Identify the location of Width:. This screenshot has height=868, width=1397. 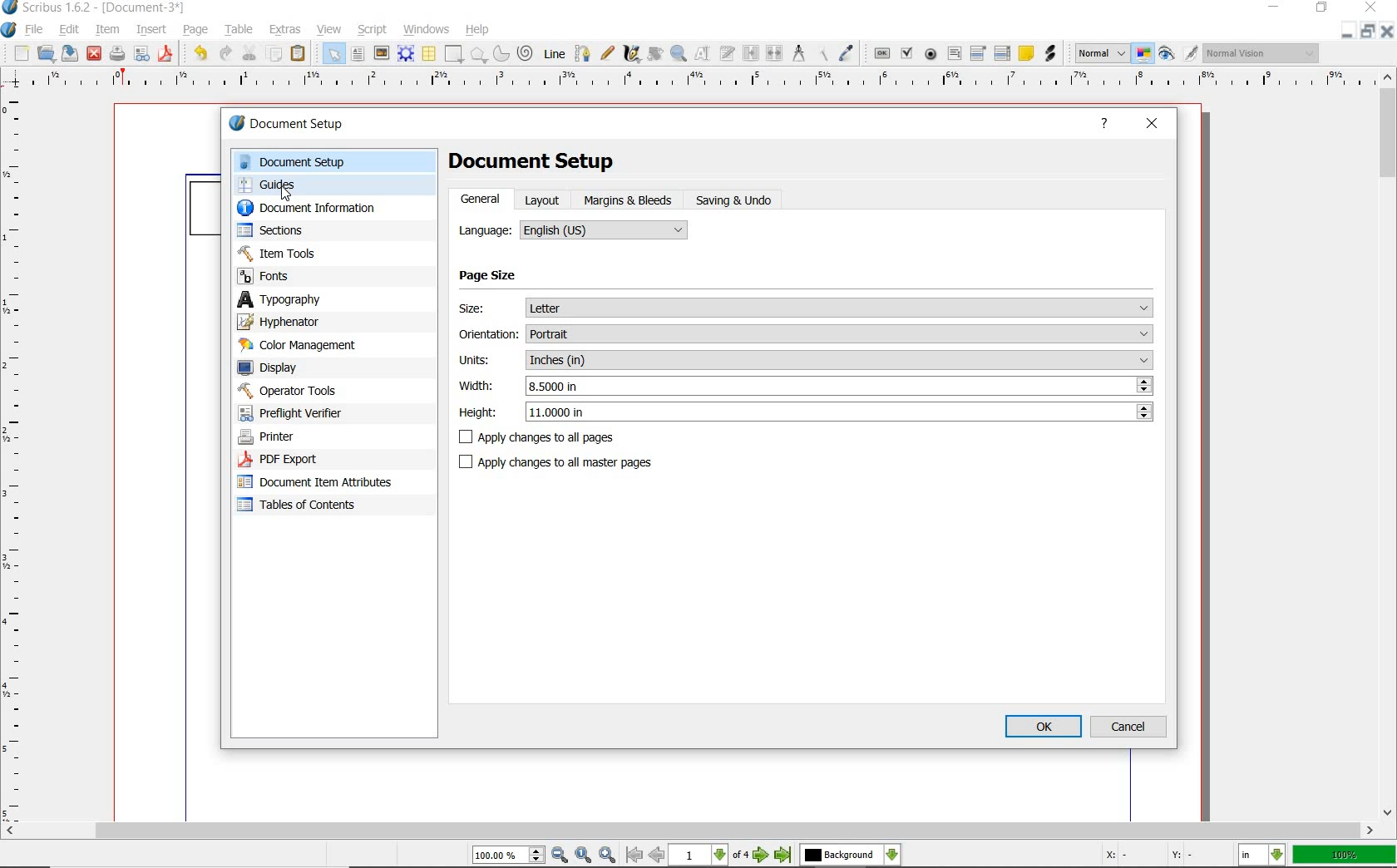
(476, 384).